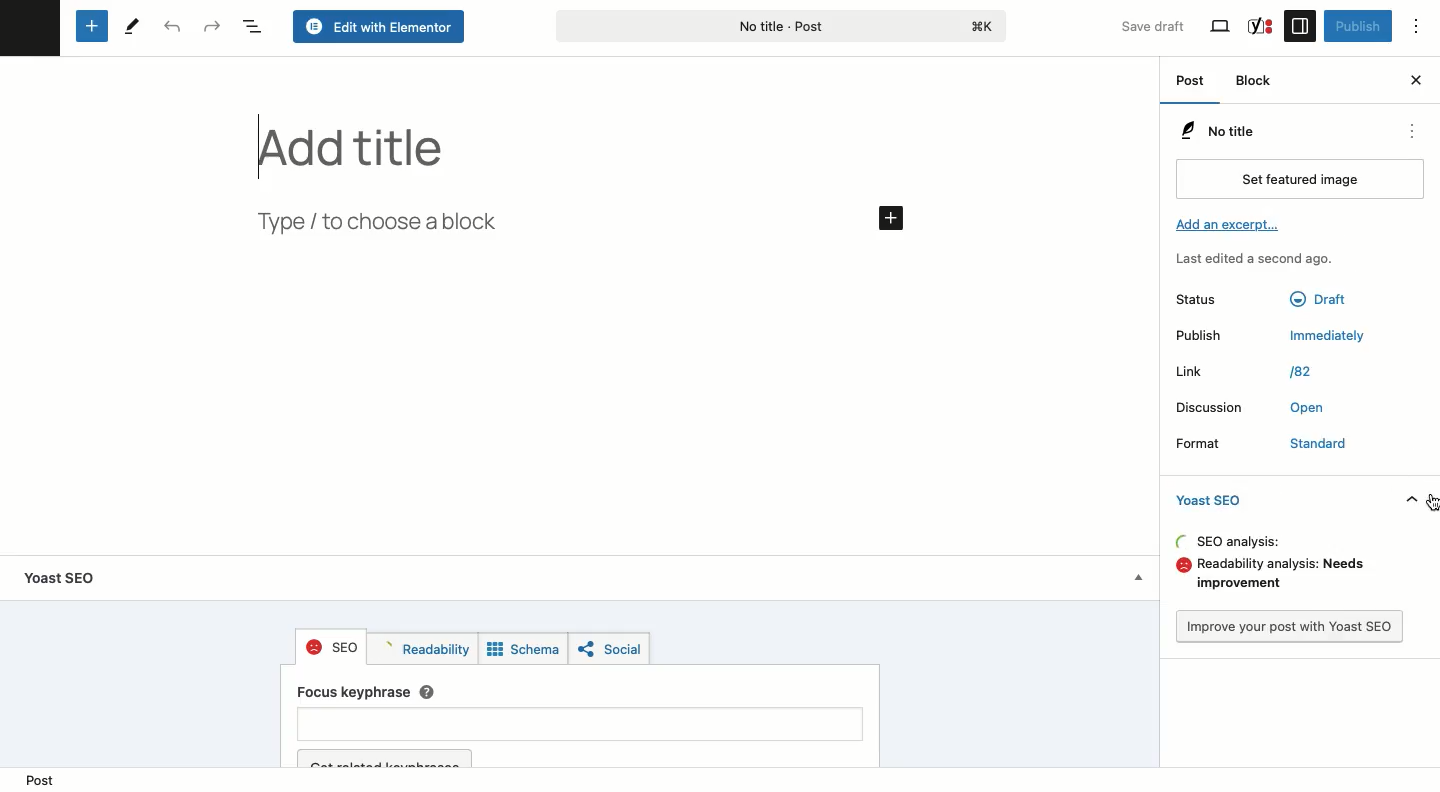  I want to click on Sidebar, so click(1300, 25).